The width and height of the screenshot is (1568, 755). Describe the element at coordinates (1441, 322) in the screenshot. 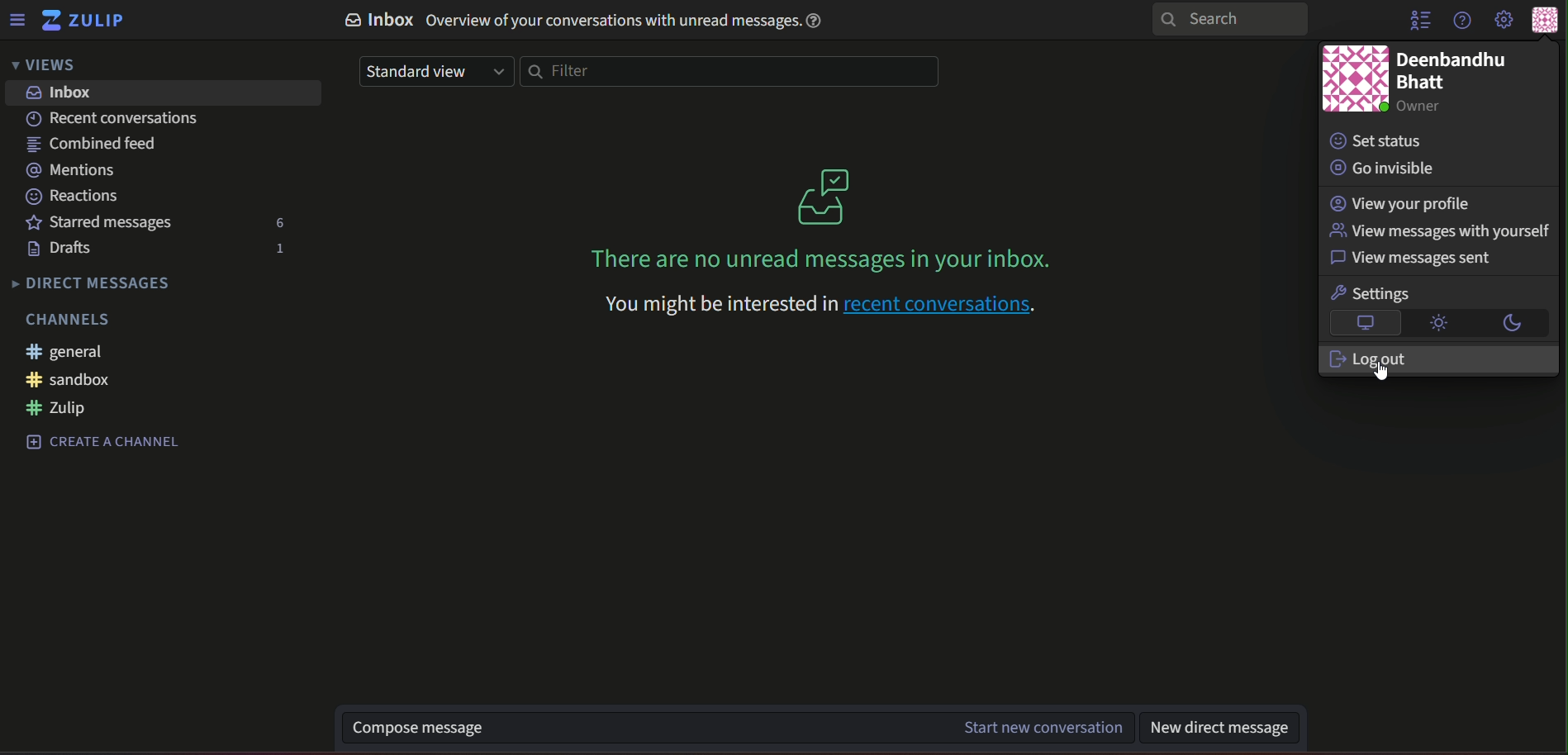

I see `brightness` at that location.